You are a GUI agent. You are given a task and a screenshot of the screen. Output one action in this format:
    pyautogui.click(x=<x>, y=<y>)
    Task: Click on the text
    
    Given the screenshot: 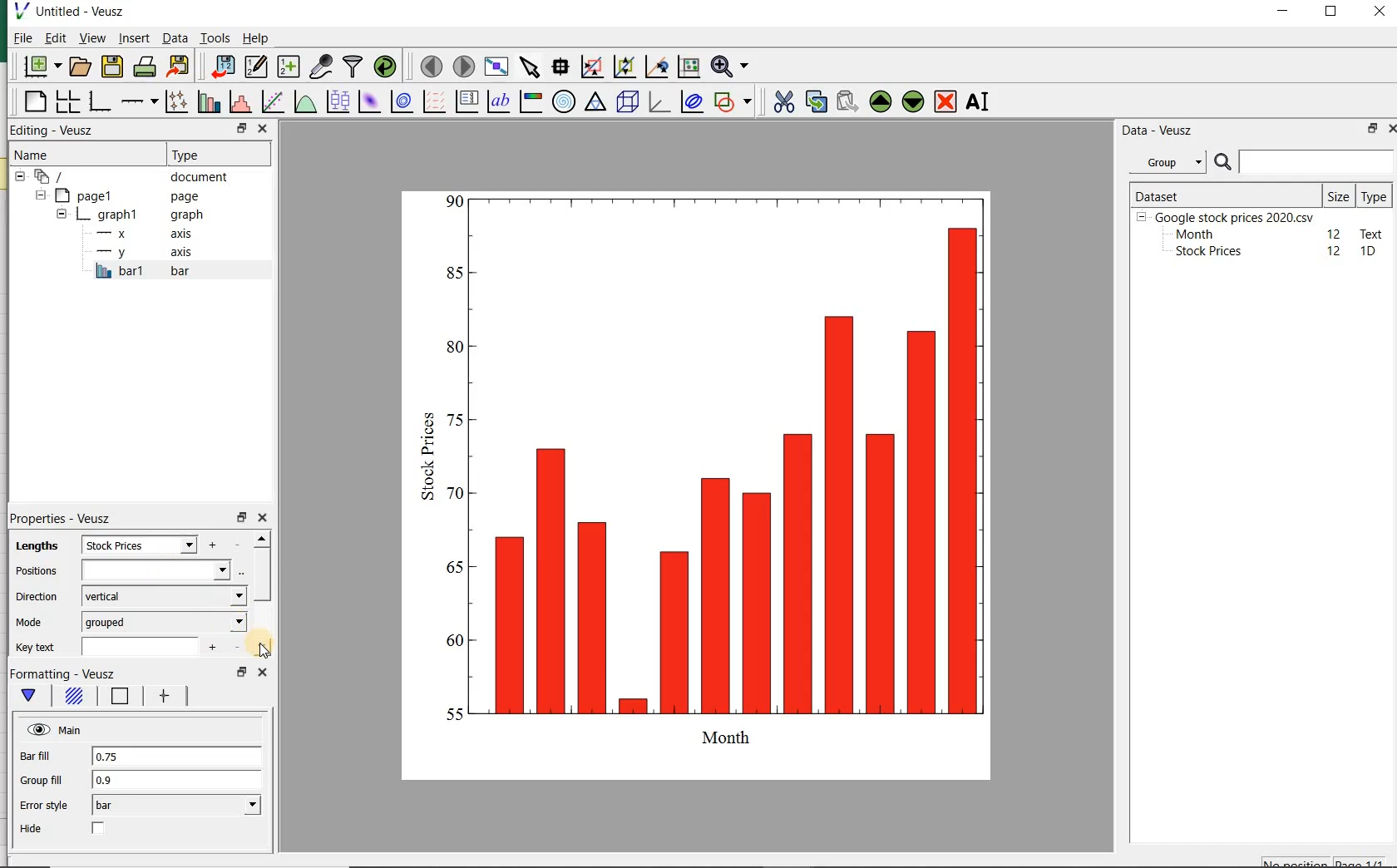 What is the action you would take?
    pyautogui.click(x=1369, y=233)
    